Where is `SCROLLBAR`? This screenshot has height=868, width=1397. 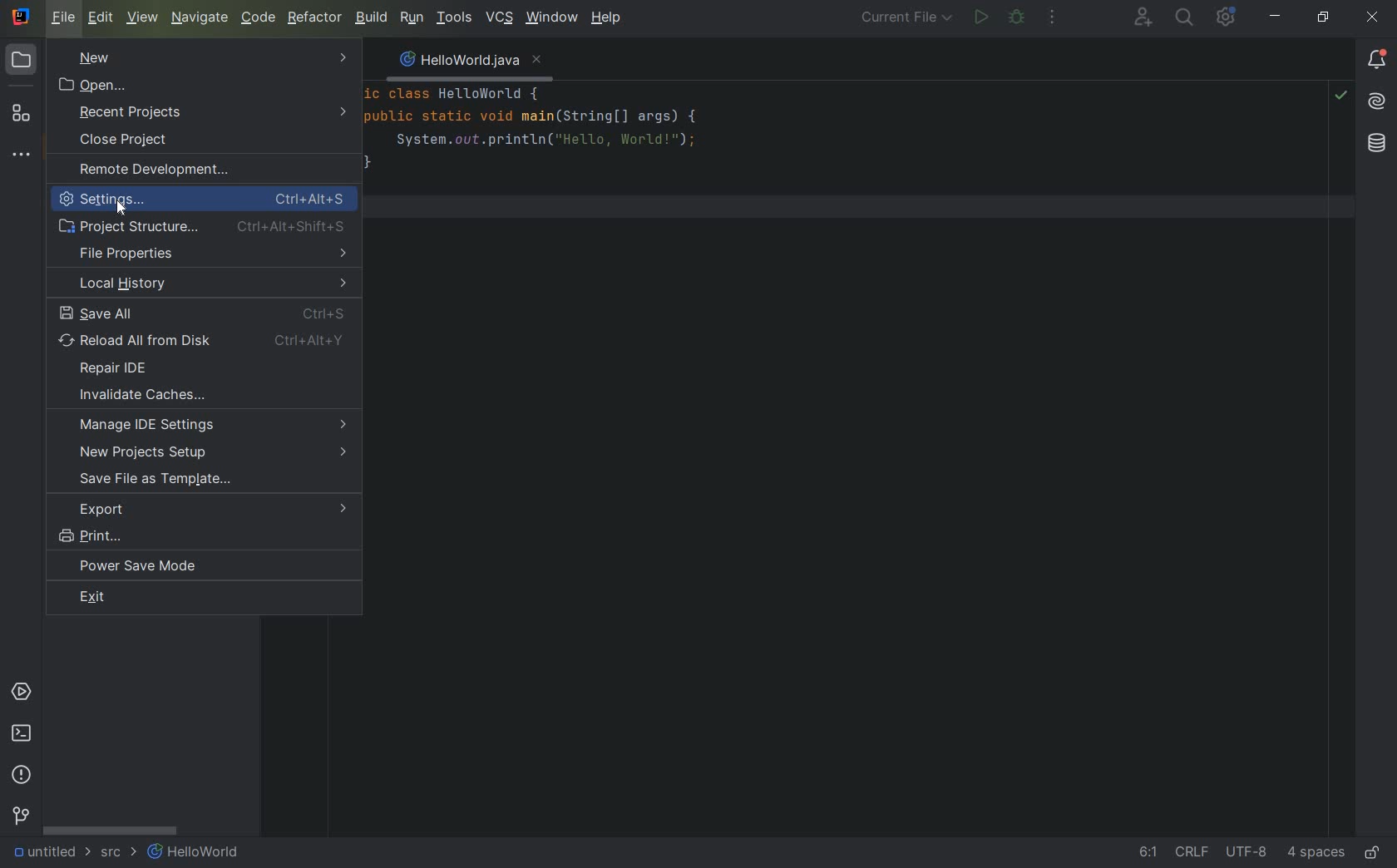
SCROLLBAR is located at coordinates (111, 830).